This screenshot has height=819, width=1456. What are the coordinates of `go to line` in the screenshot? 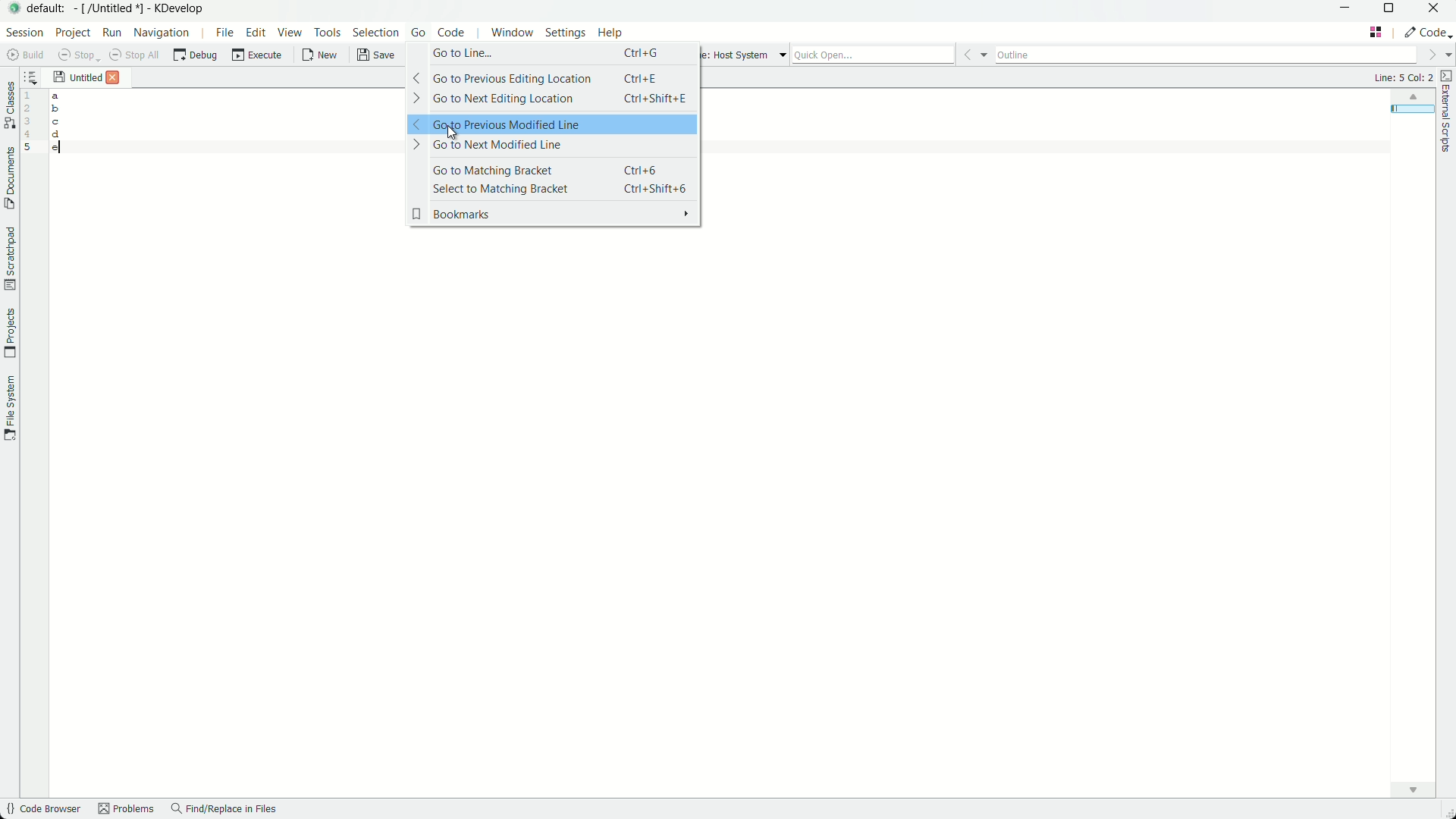 It's located at (552, 53).